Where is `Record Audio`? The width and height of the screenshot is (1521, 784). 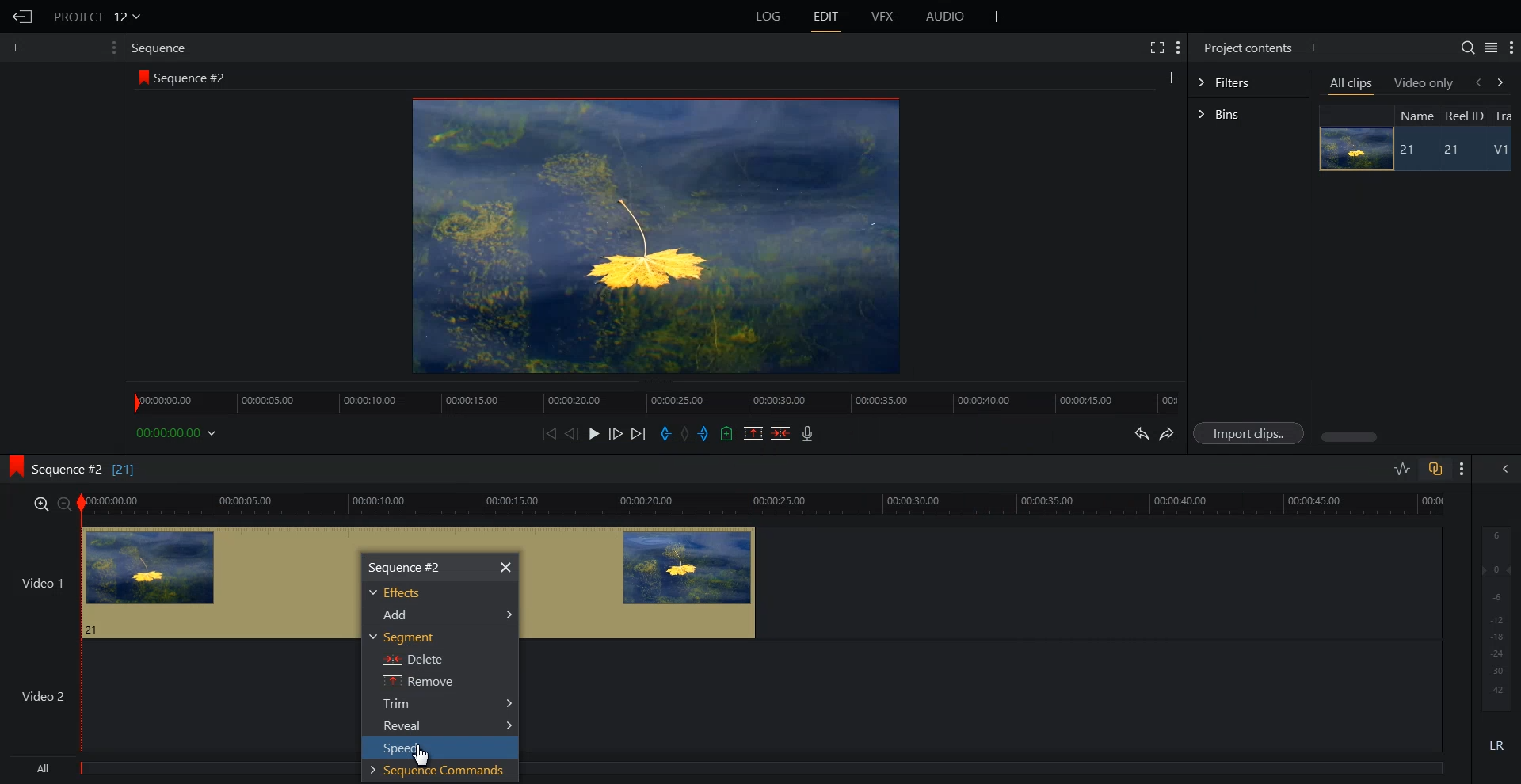 Record Audio is located at coordinates (806, 433).